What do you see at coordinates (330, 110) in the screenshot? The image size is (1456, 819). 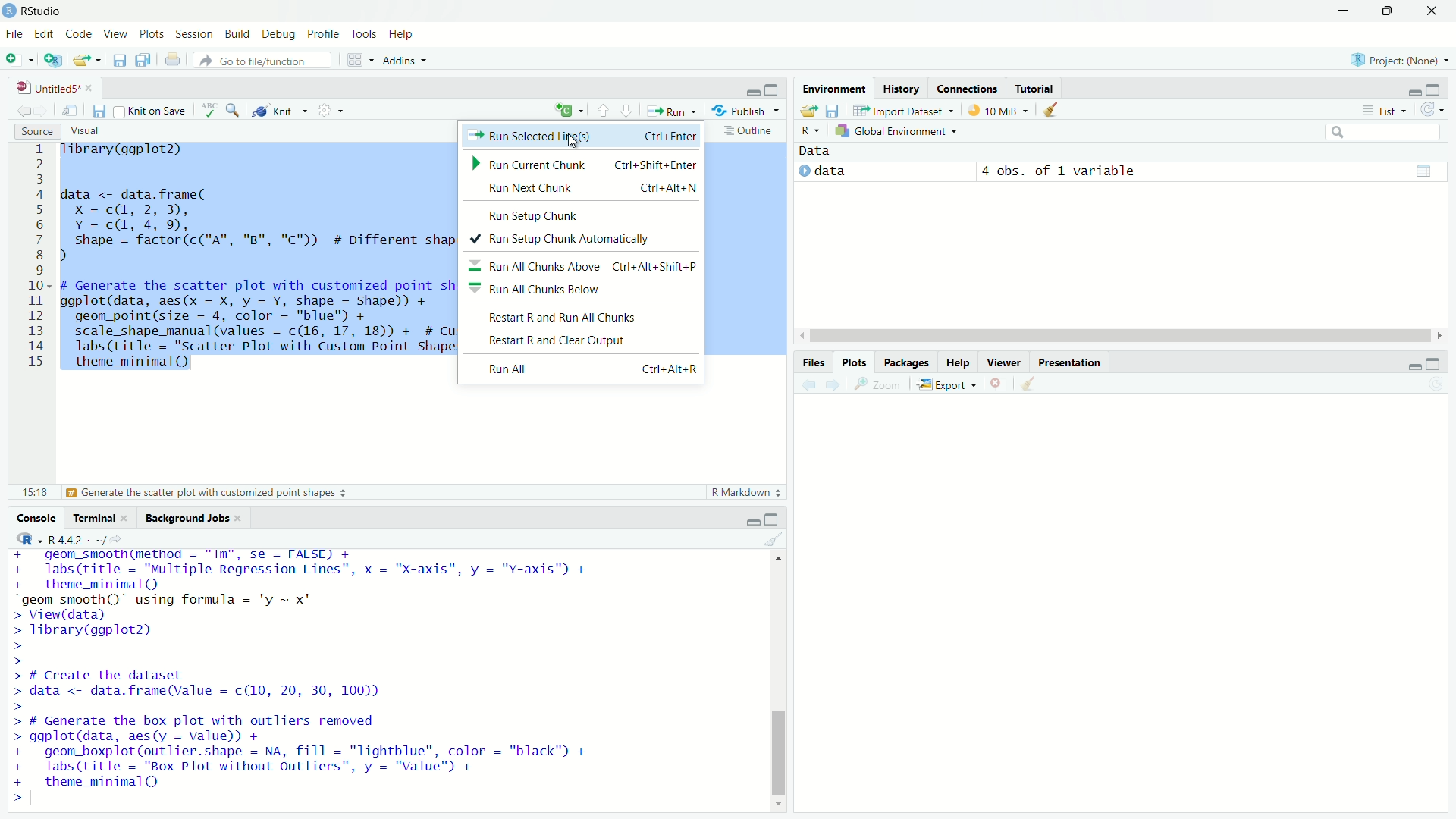 I see `More options` at bounding box center [330, 110].